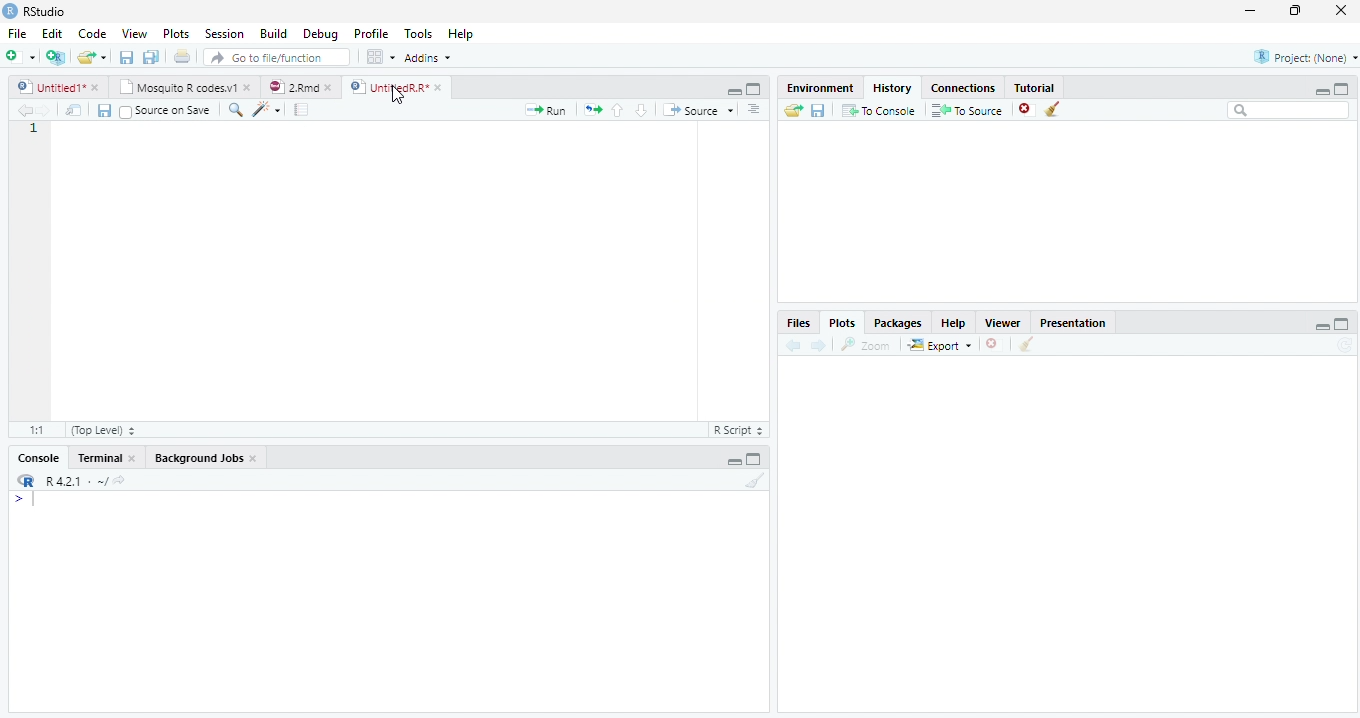 The height and width of the screenshot is (718, 1360). I want to click on 1.1, so click(32, 429).